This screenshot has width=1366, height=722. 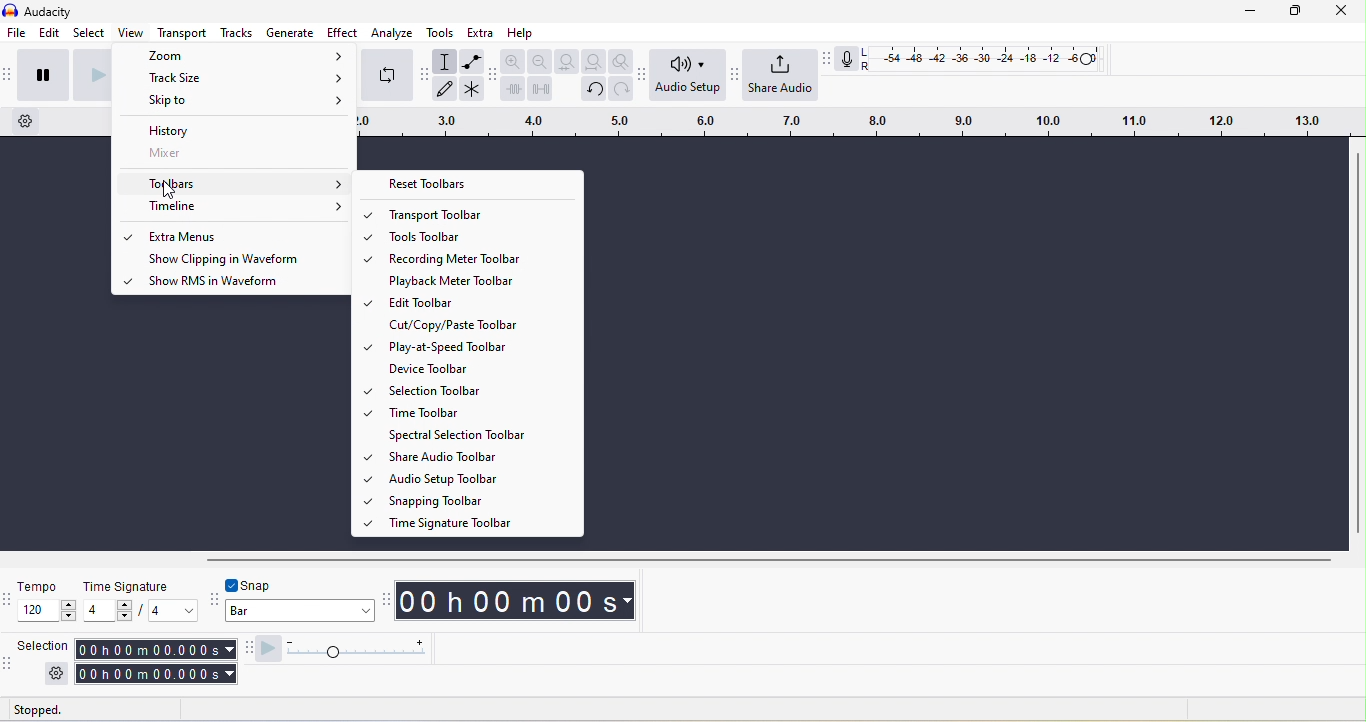 What do you see at coordinates (595, 61) in the screenshot?
I see `fit project to width` at bounding box center [595, 61].